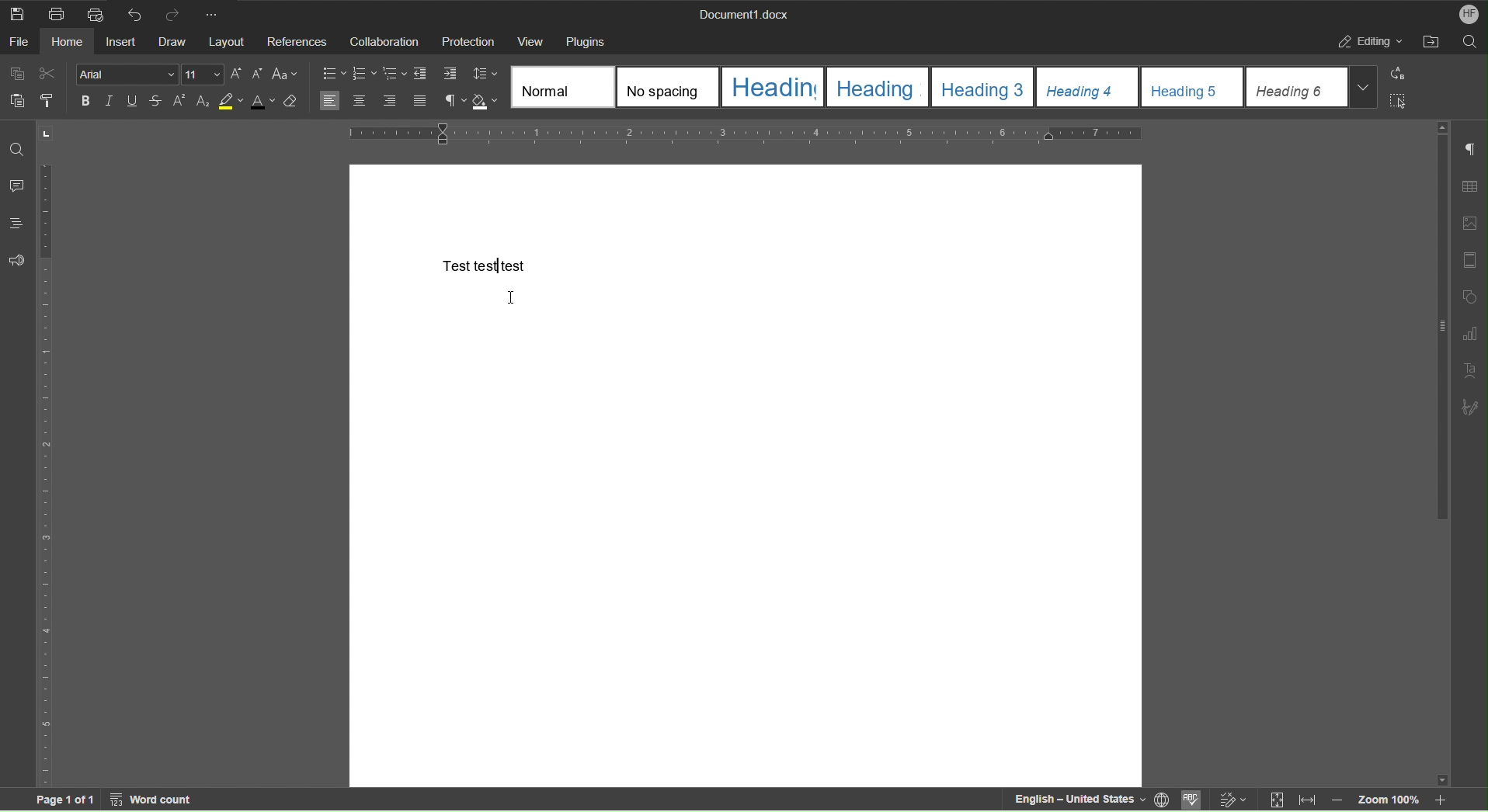 Image resolution: width=1488 pixels, height=812 pixels. Describe the element at coordinates (96, 13) in the screenshot. I see `Quick Print` at that location.